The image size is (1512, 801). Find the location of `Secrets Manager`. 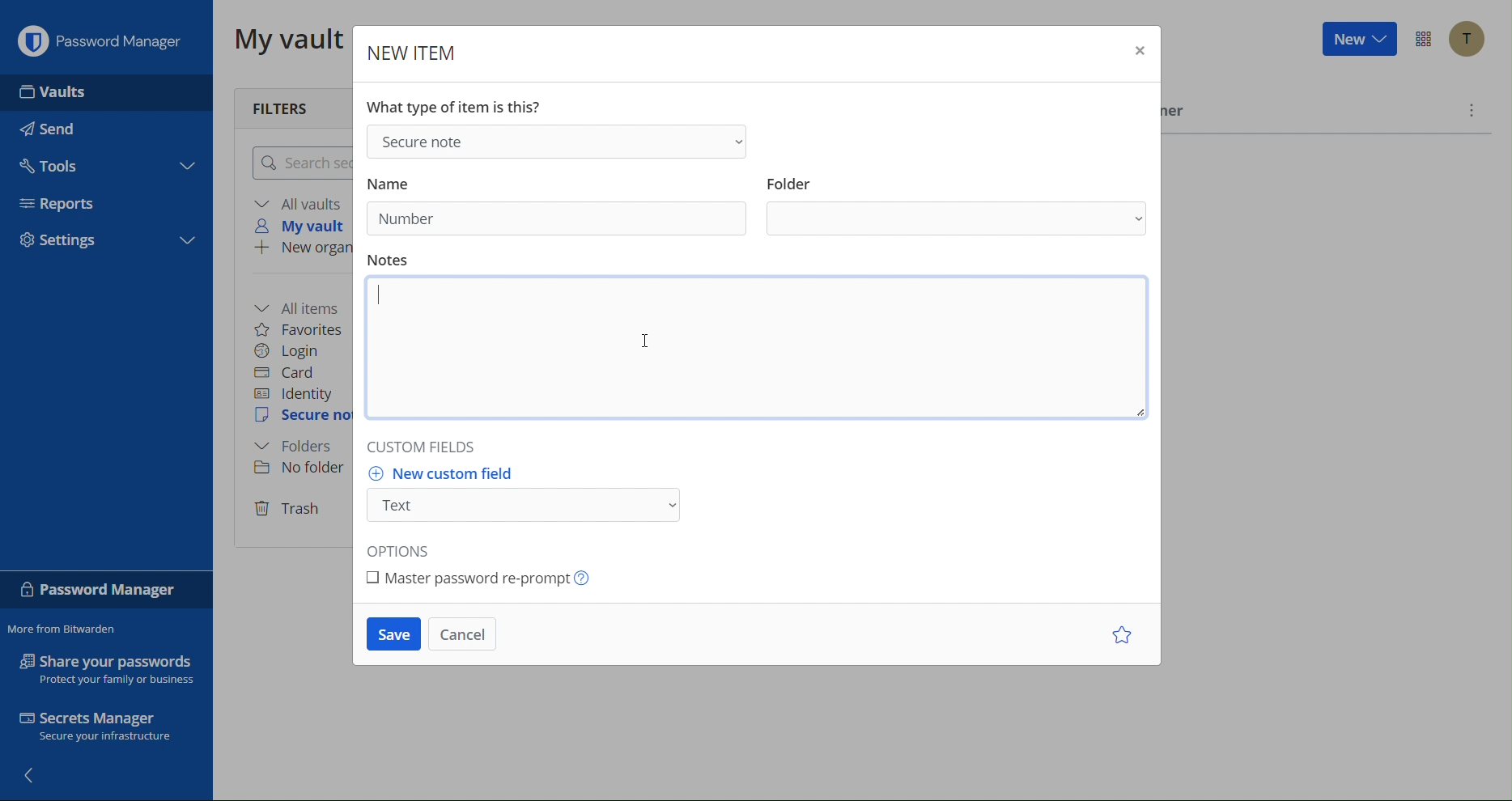

Secrets Manager is located at coordinates (107, 727).